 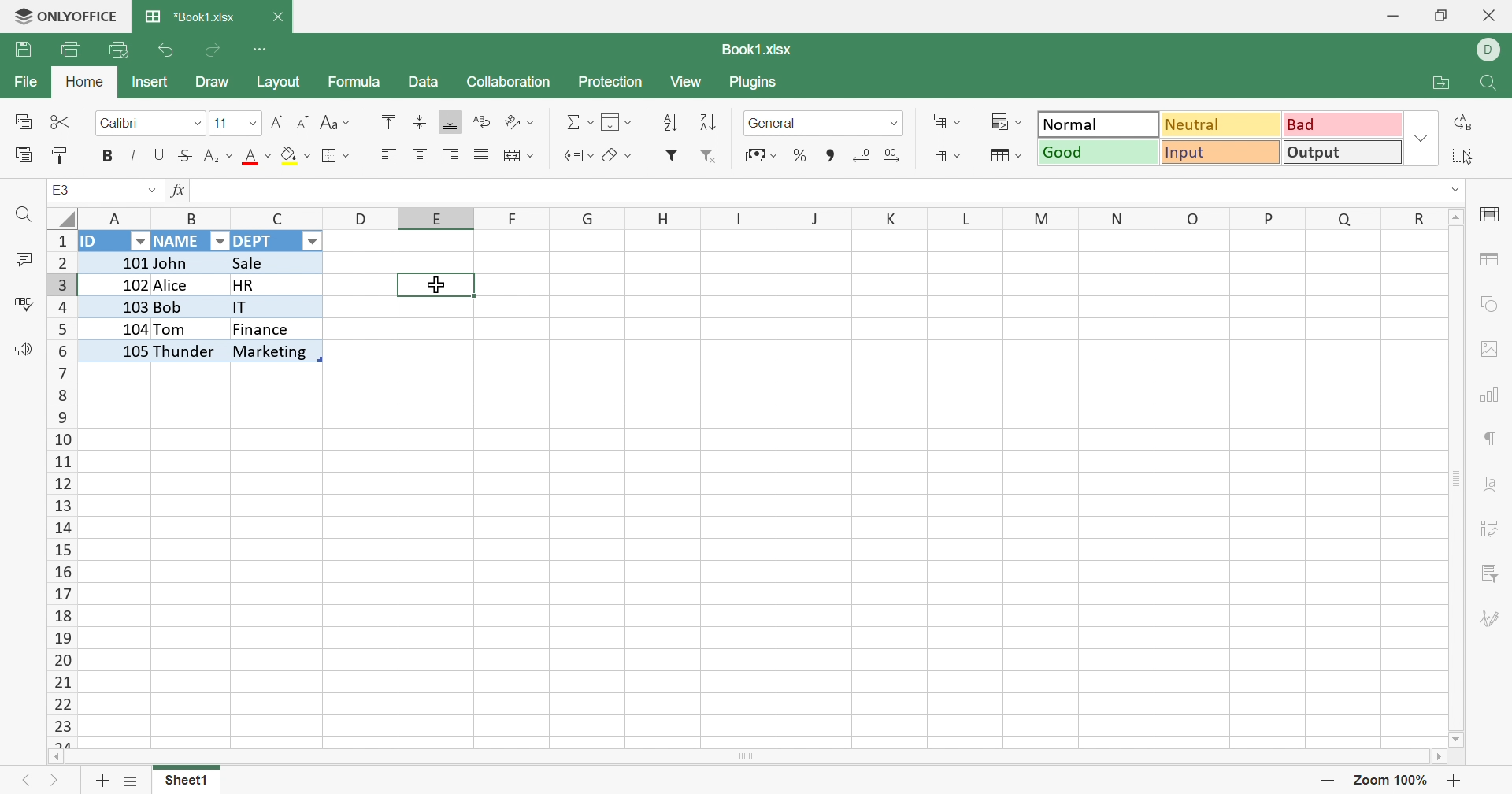 I want to click on Ascending order, so click(x=673, y=121).